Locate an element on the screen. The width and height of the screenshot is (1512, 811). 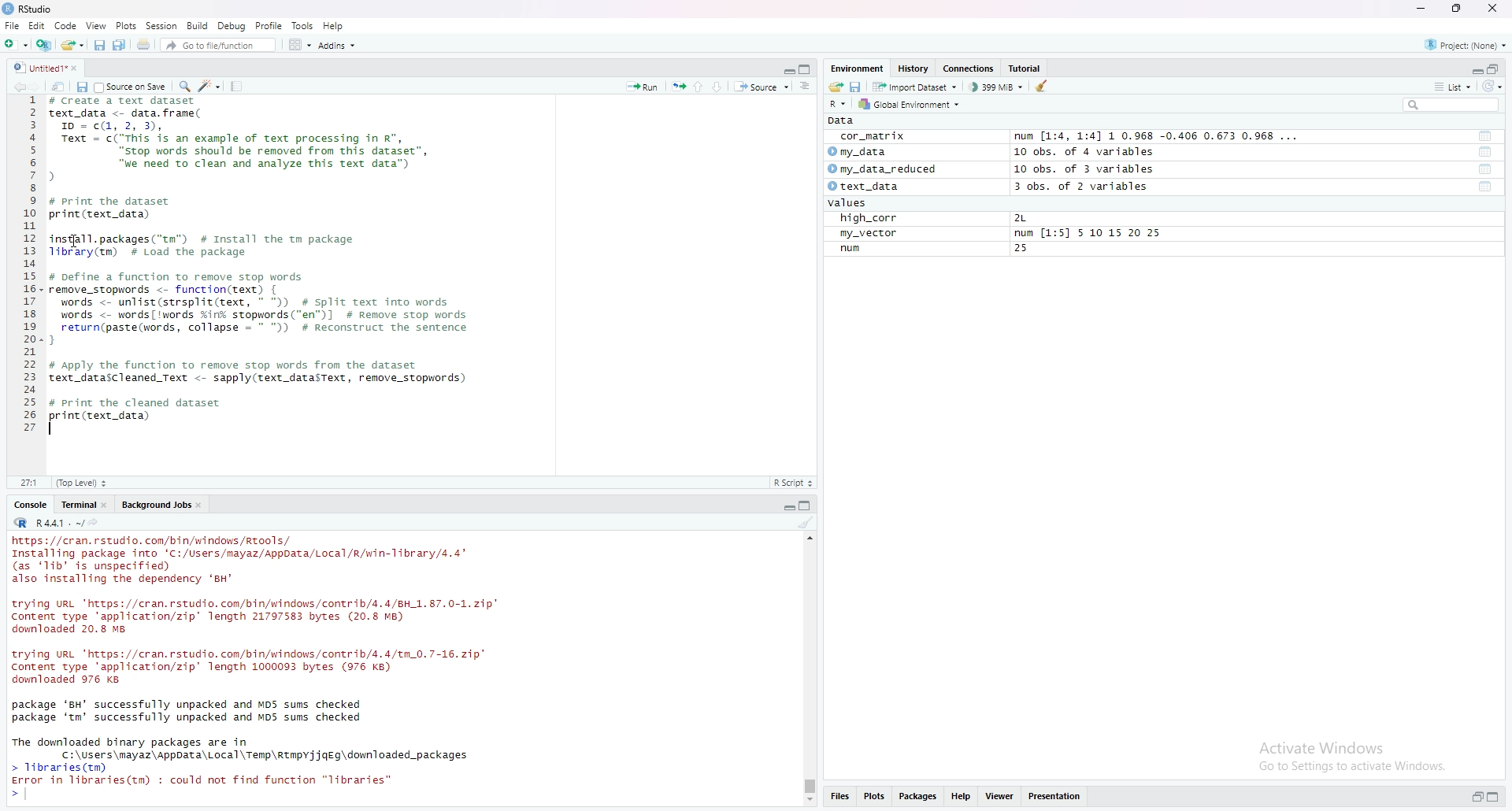
 my data is located at coordinates (858, 150).